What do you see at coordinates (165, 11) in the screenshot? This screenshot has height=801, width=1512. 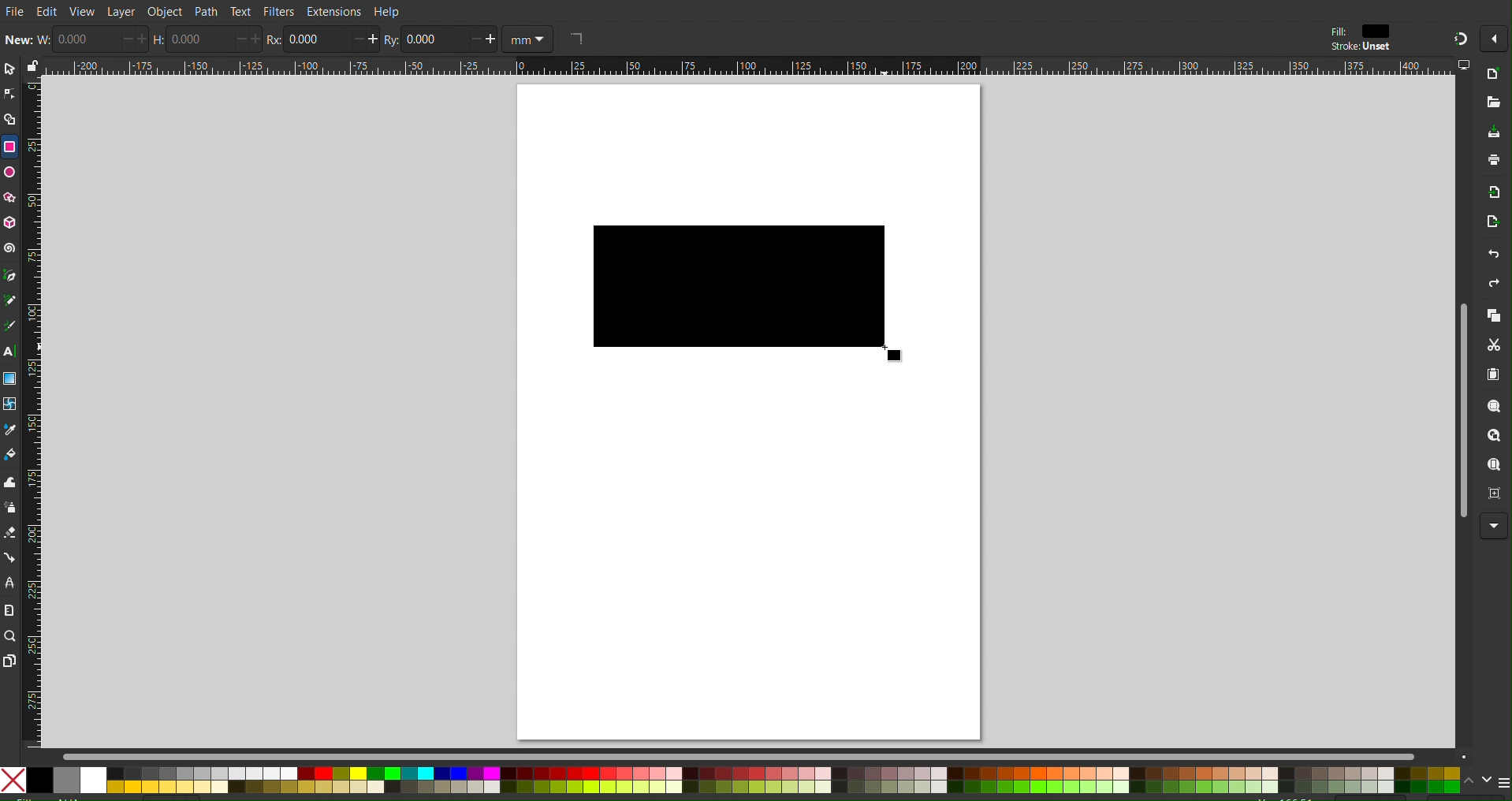 I see `Object` at bounding box center [165, 11].